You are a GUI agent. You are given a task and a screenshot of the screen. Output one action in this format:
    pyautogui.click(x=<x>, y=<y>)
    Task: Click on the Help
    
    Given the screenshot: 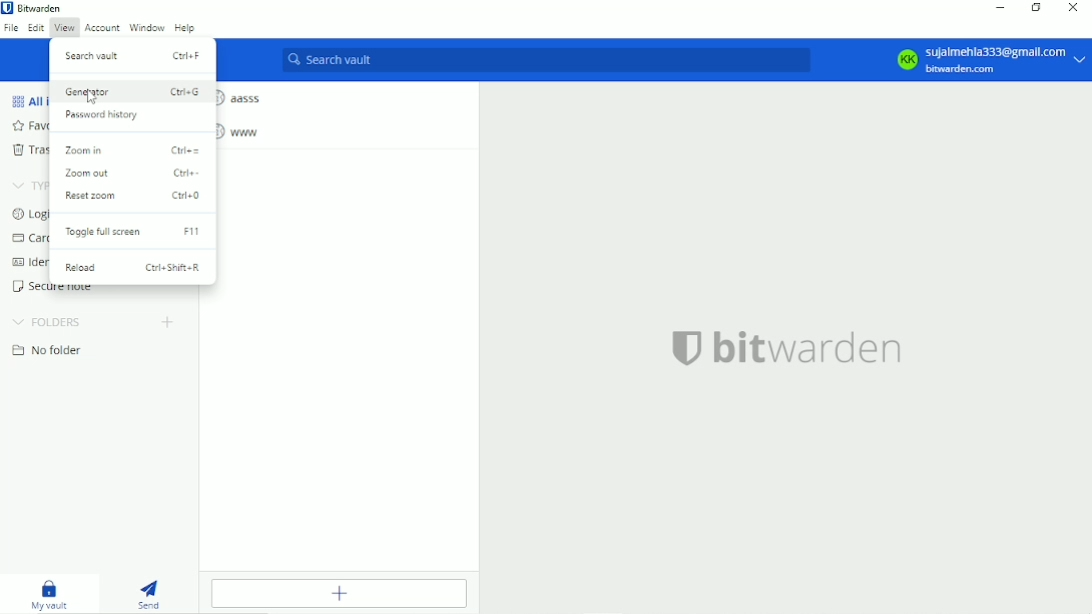 What is the action you would take?
    pyautogui.click(x=187, y=28)
    